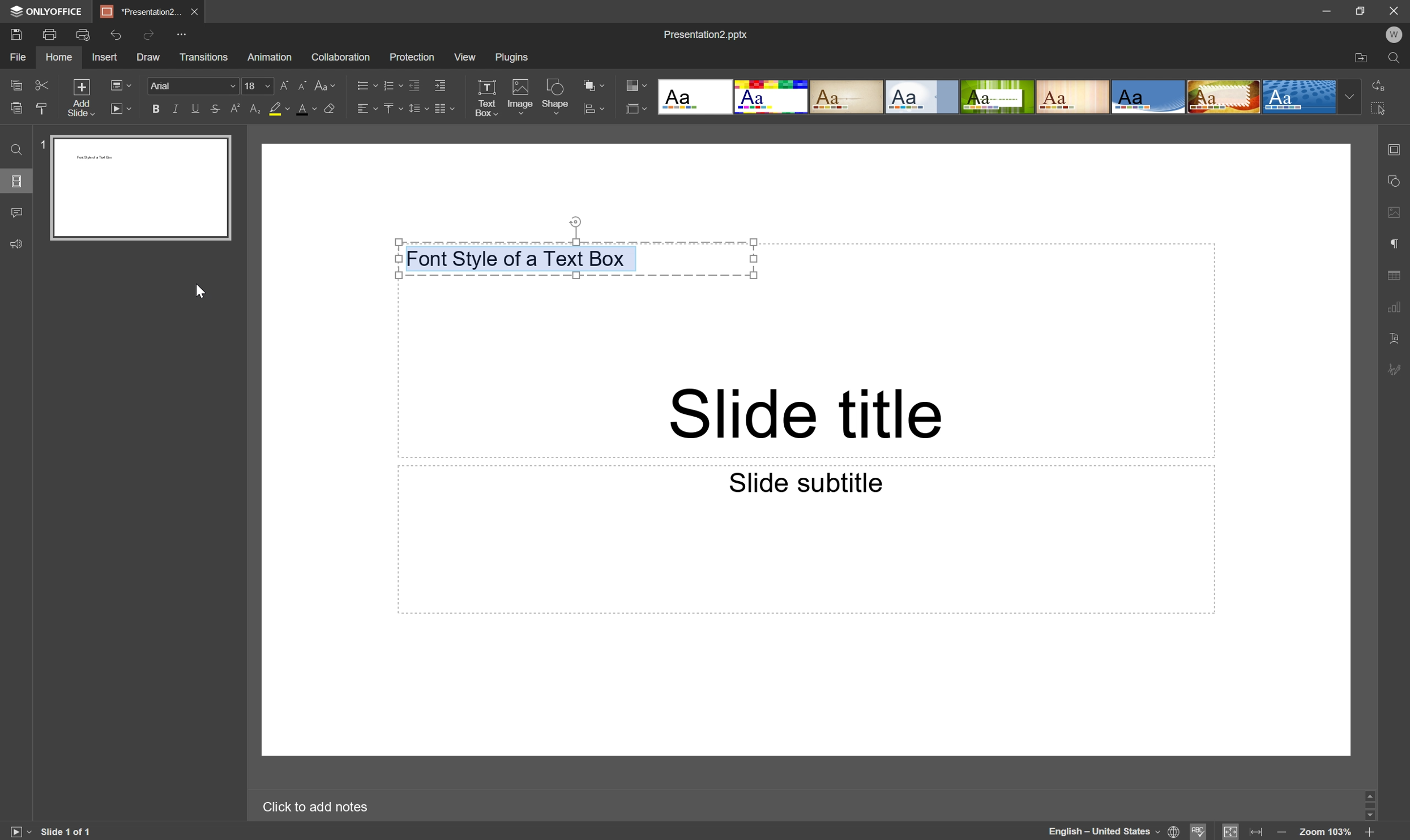 This screenshot has width=1410, height=840. Describe the element at coordinates (1378, 87) in the screenshot. I see `Replace` at that location.